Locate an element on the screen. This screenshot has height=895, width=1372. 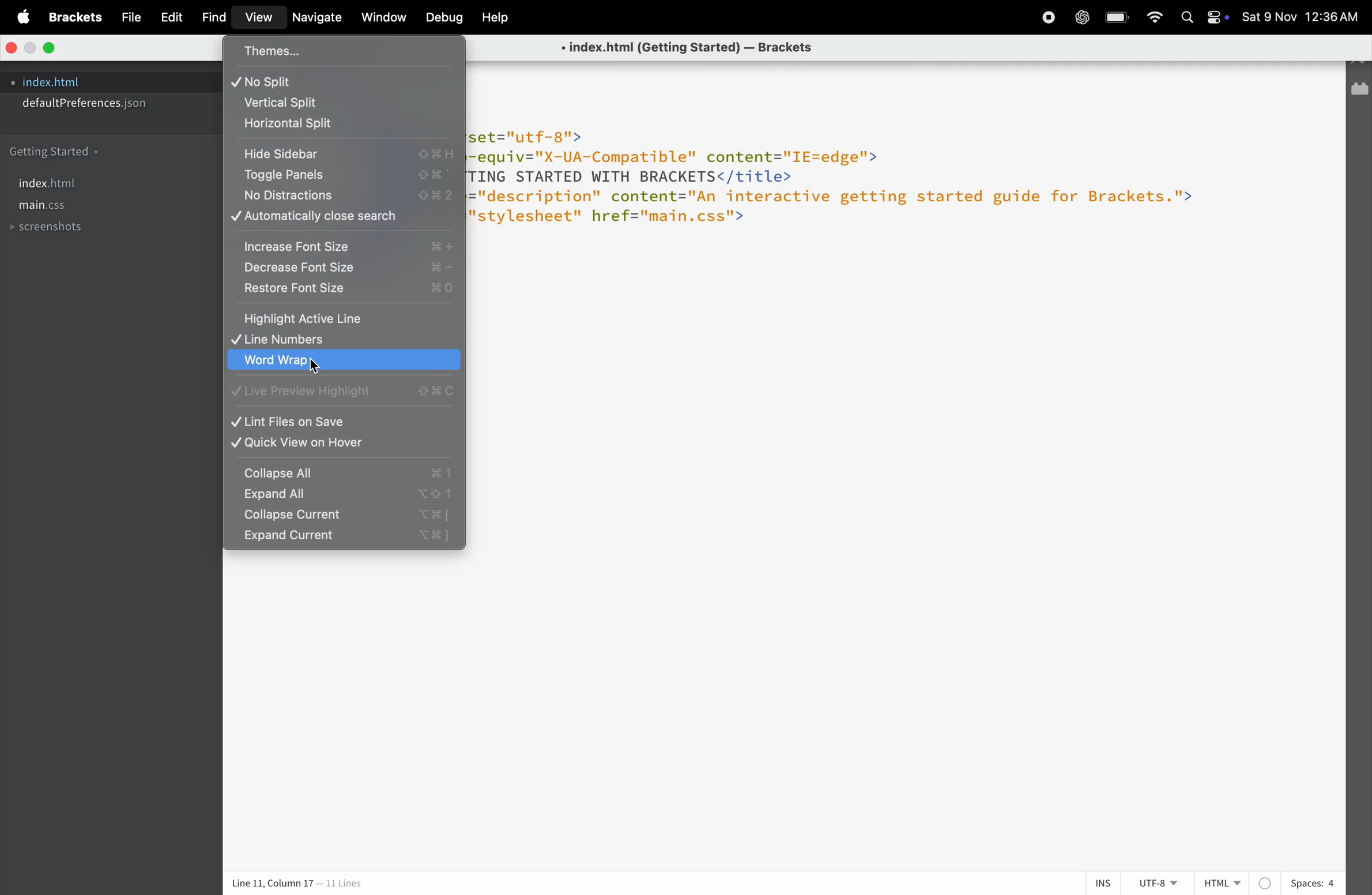
screenshots is located at coordinates (49, 230).